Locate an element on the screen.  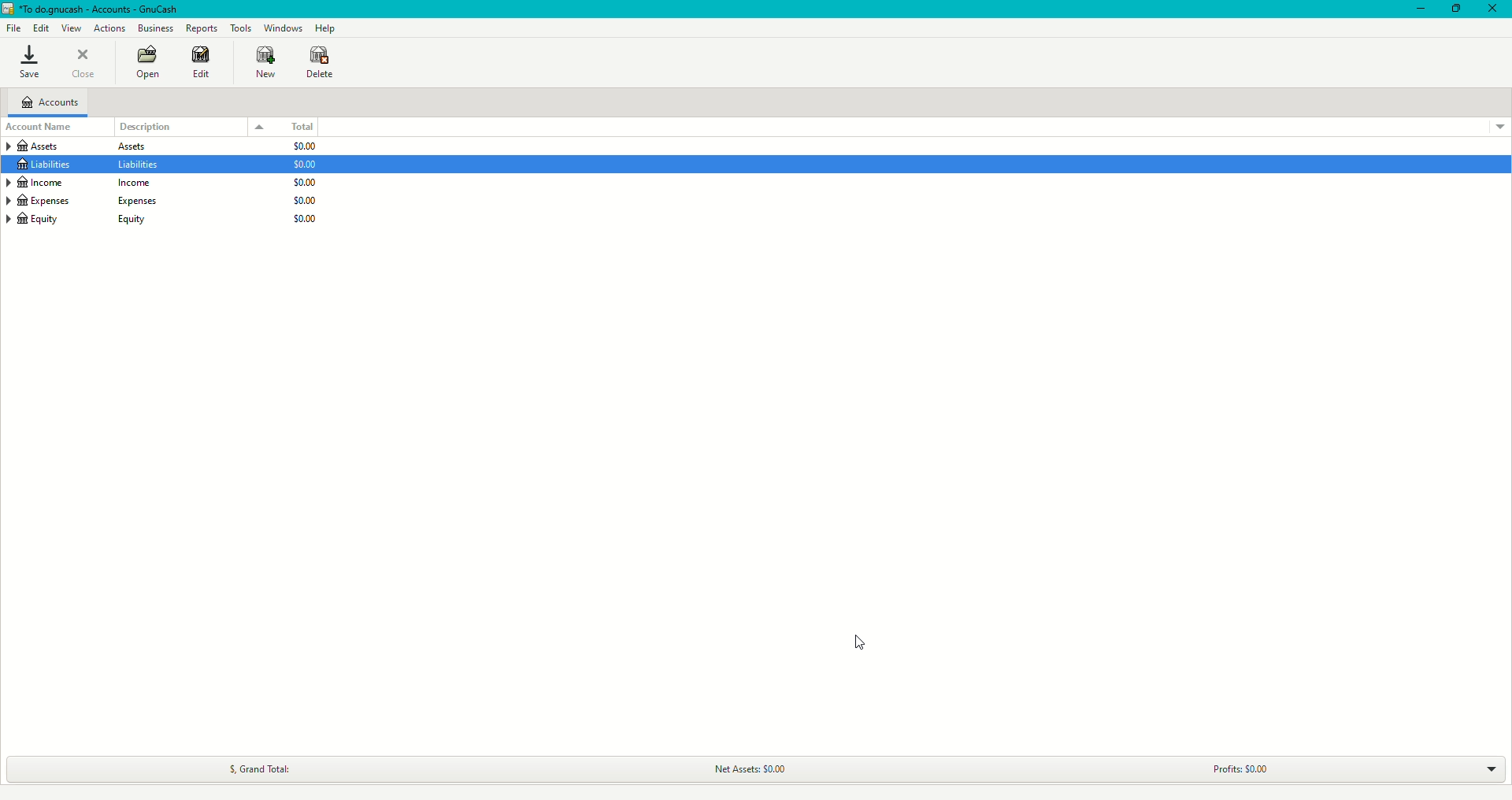
Minimize is located at coordinates (1417, 10).